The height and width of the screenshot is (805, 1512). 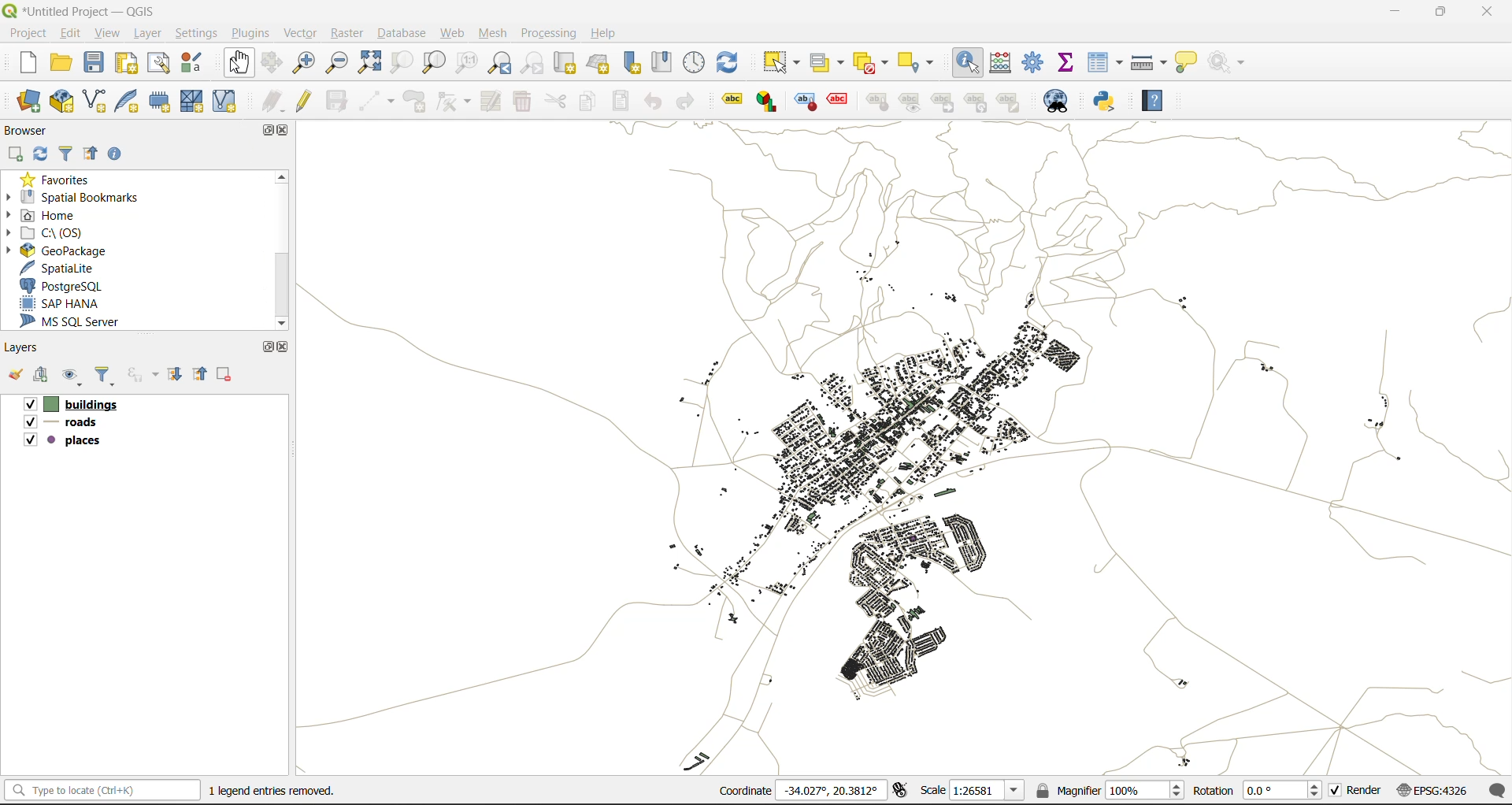 I want to click on show spatial bookmark, so click(x=661, y=62).